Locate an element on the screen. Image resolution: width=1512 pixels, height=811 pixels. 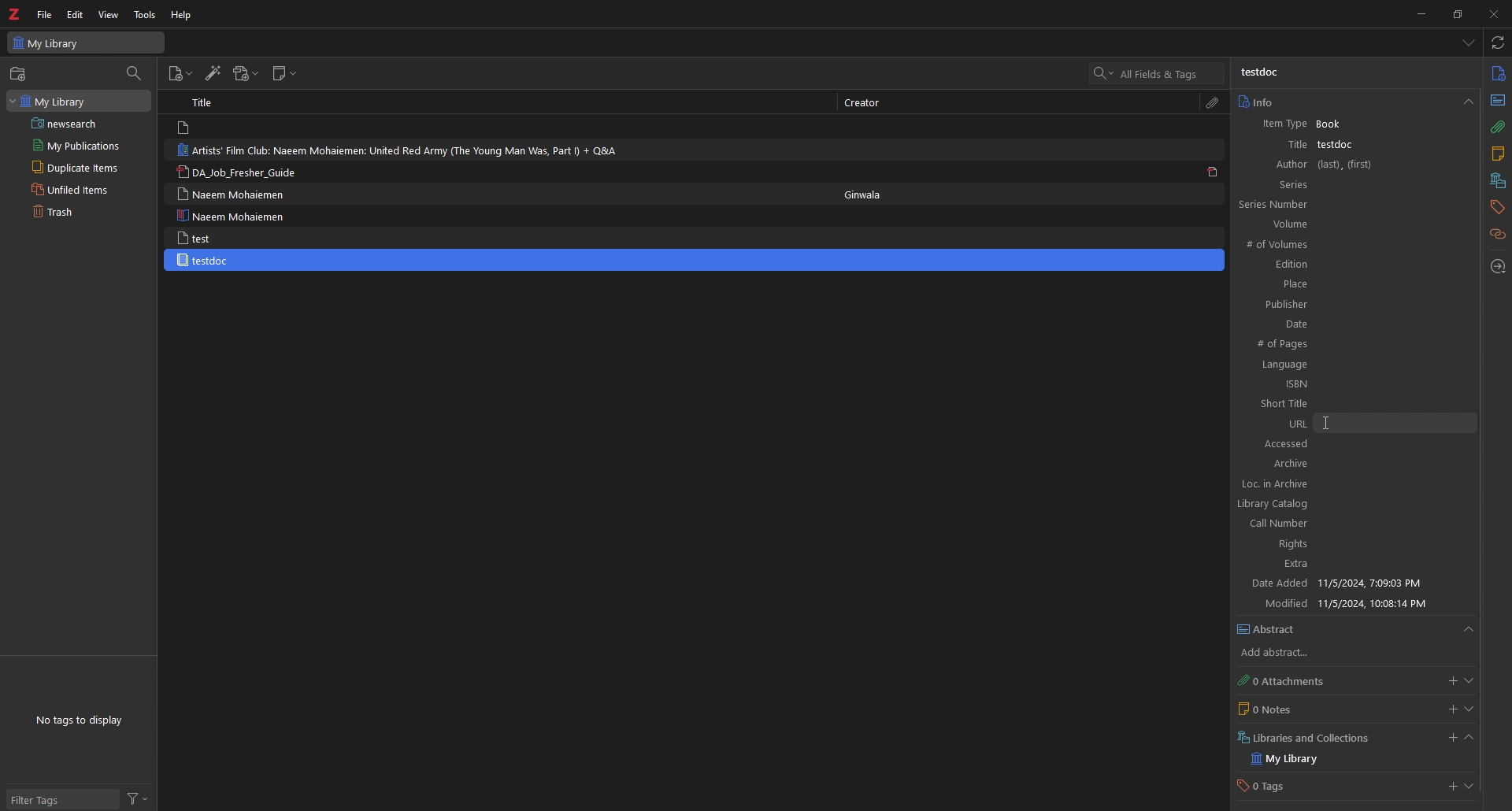
abstract is located at coordinates (1356, 630).